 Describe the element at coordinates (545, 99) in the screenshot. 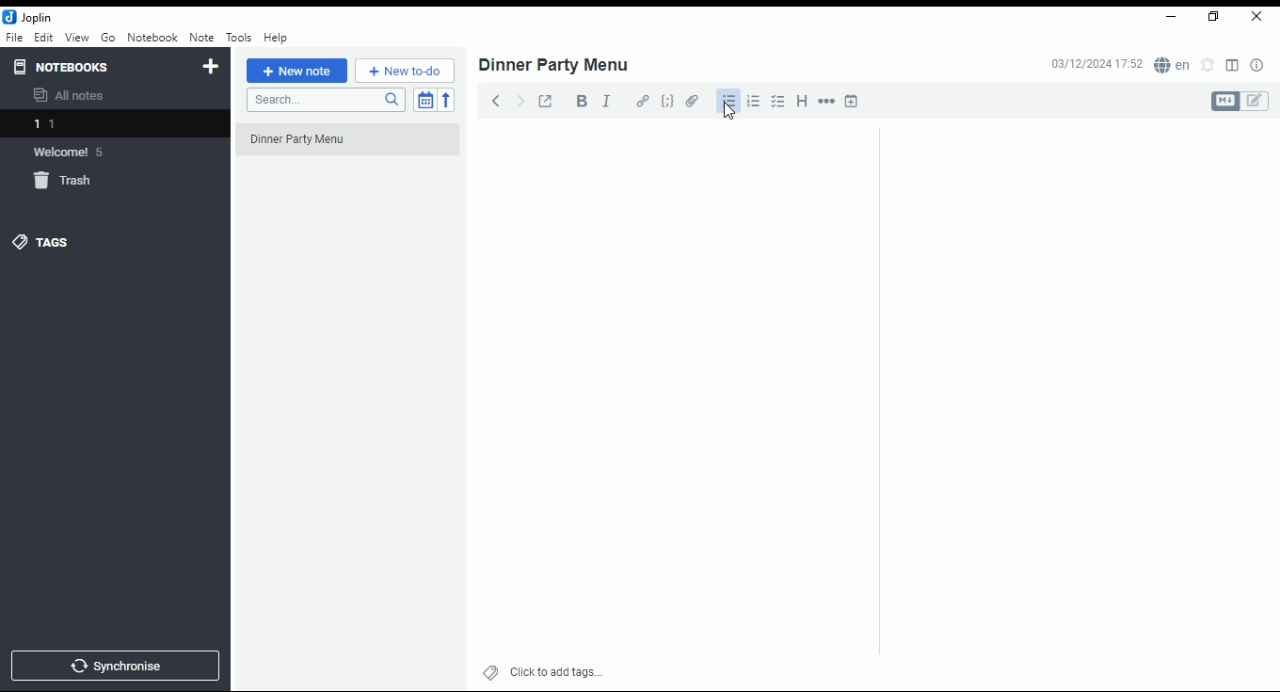

I see `toggle external editing` at that location.